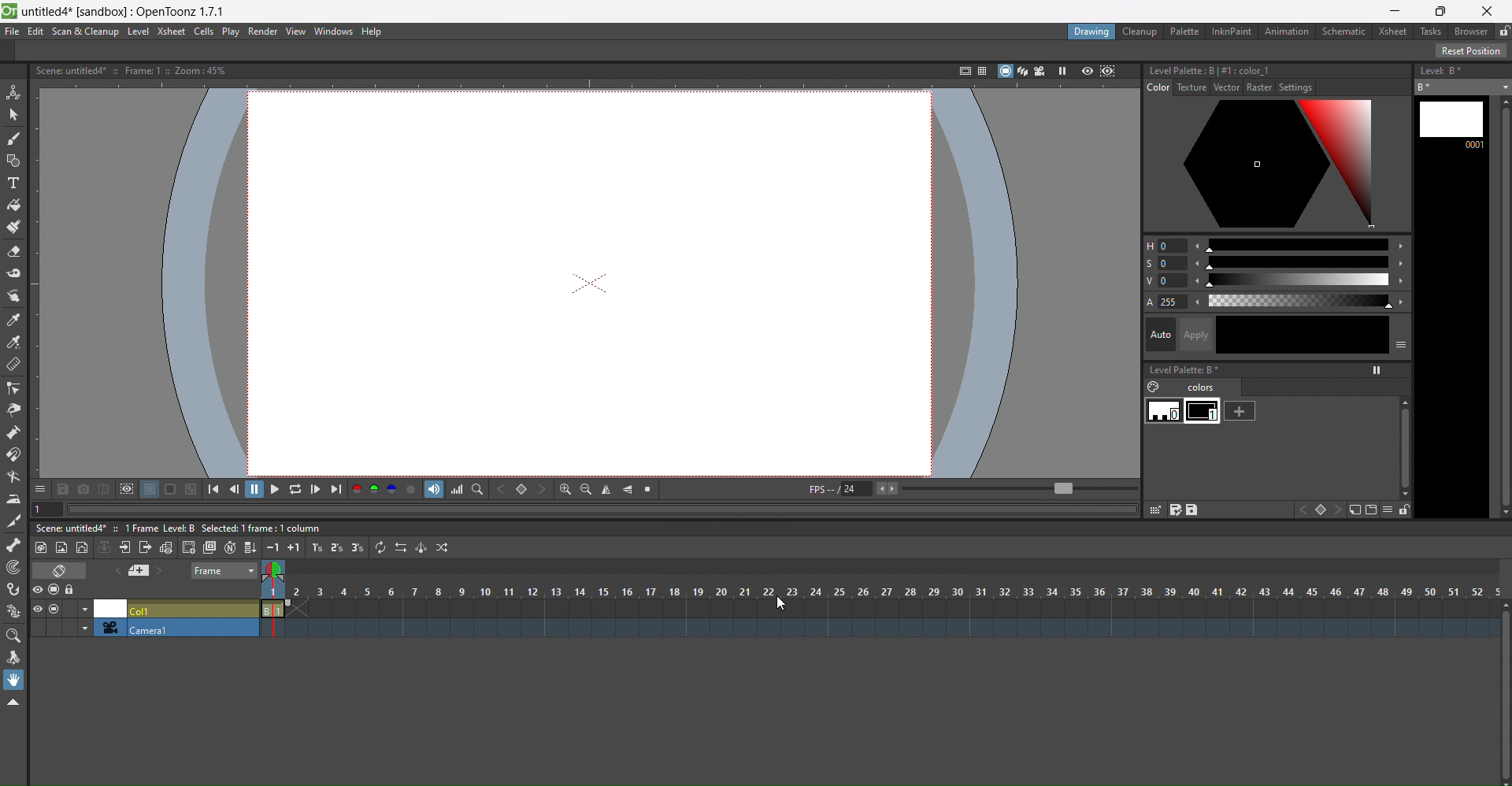 The height and width of the screenshot is (786, 1512). I want to click on level strips, so click(1451, 308).